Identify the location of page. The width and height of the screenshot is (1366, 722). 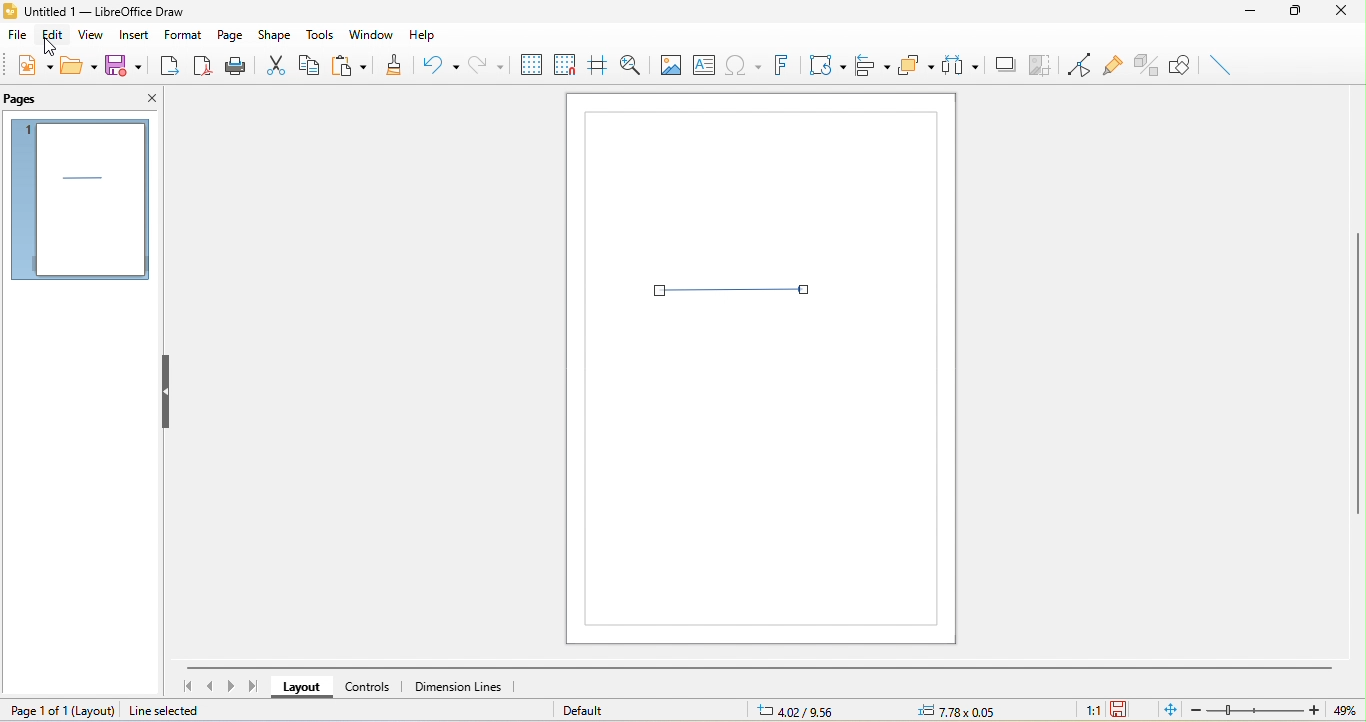
(231, 33).